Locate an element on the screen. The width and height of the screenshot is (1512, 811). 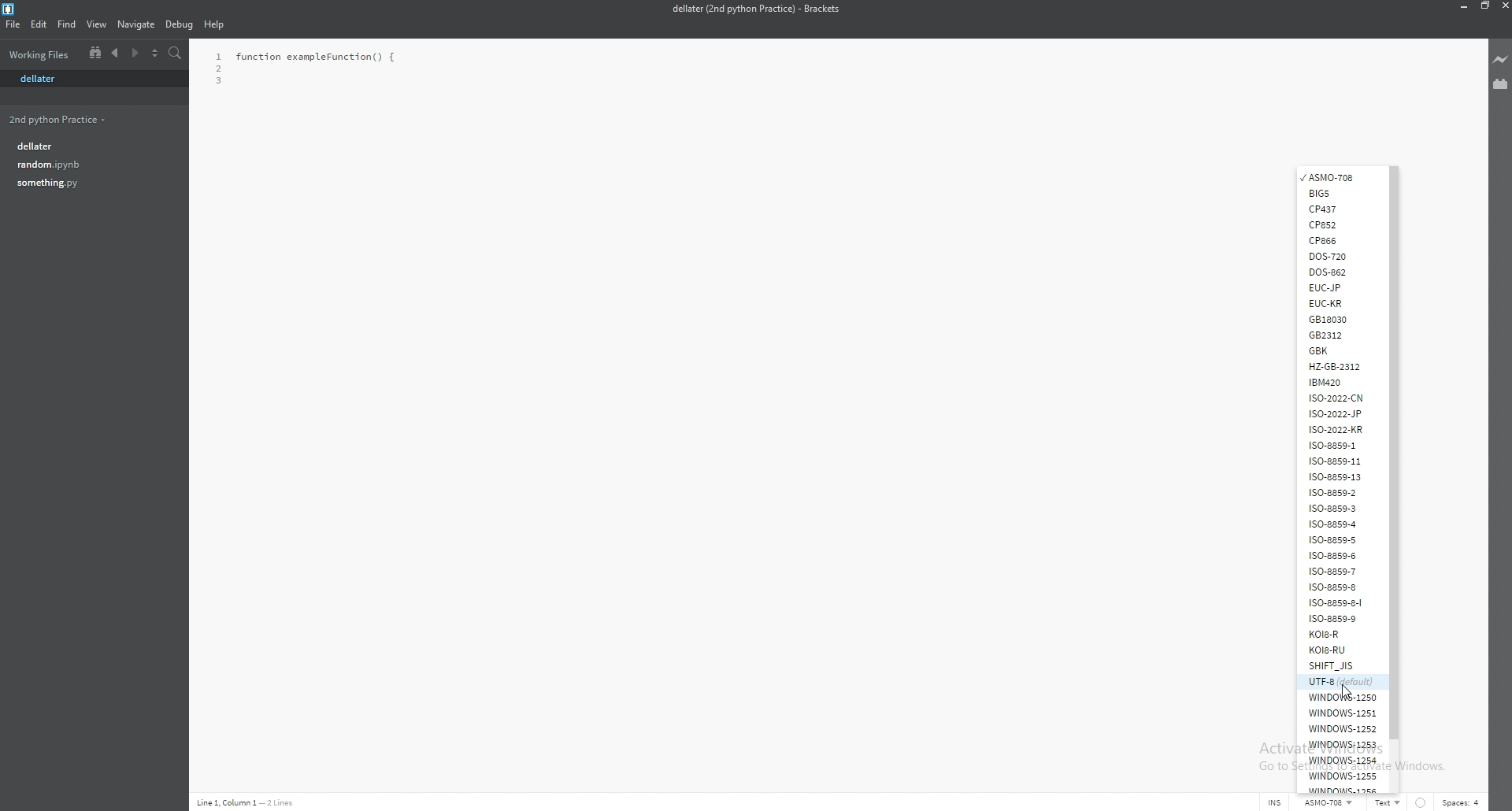
spaces: 4 is located at coordinates (1462, 802).